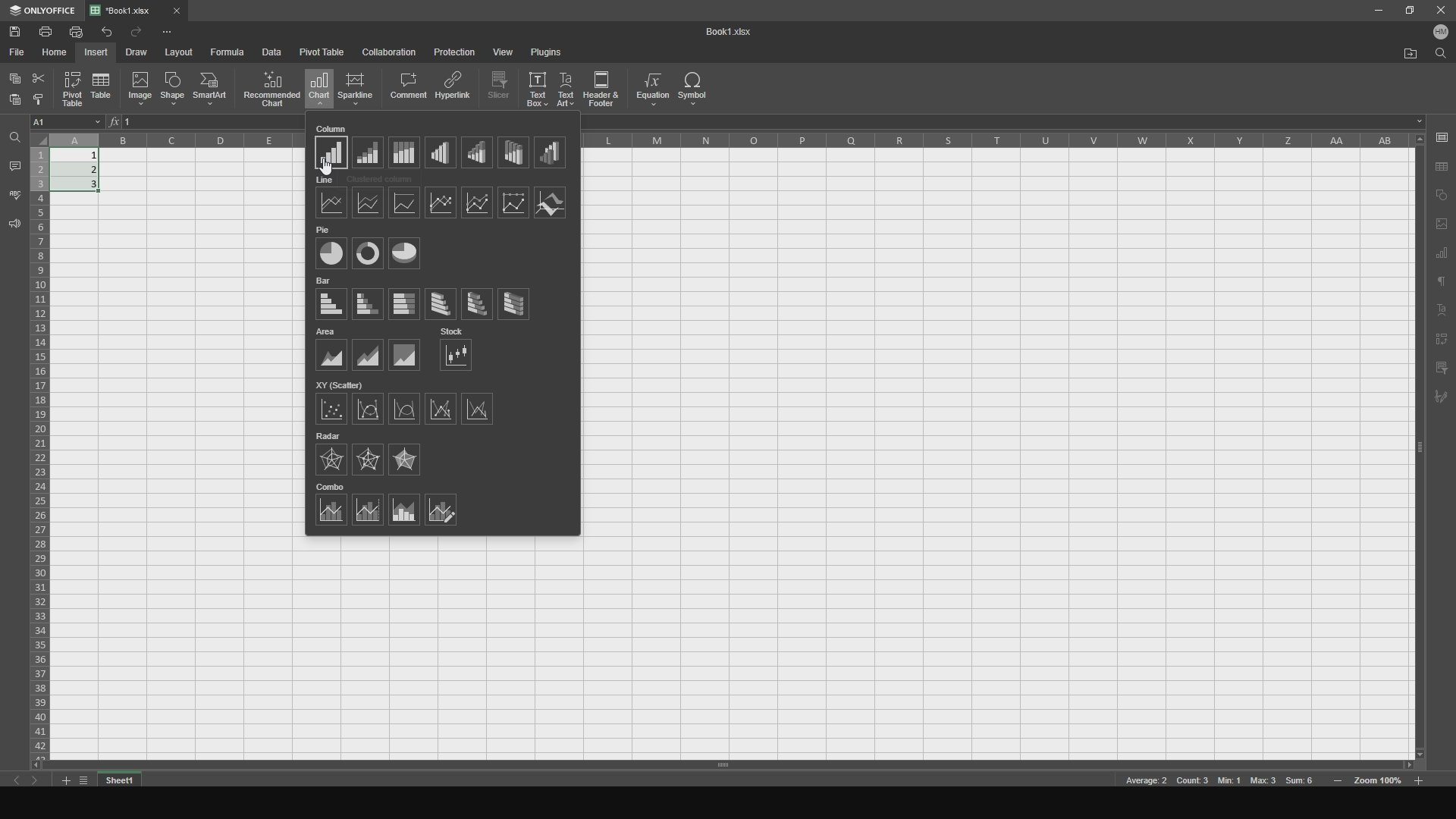  Describe the element at coordinates (1444, 339) in the screenshot. I see `pivot text` at that location.